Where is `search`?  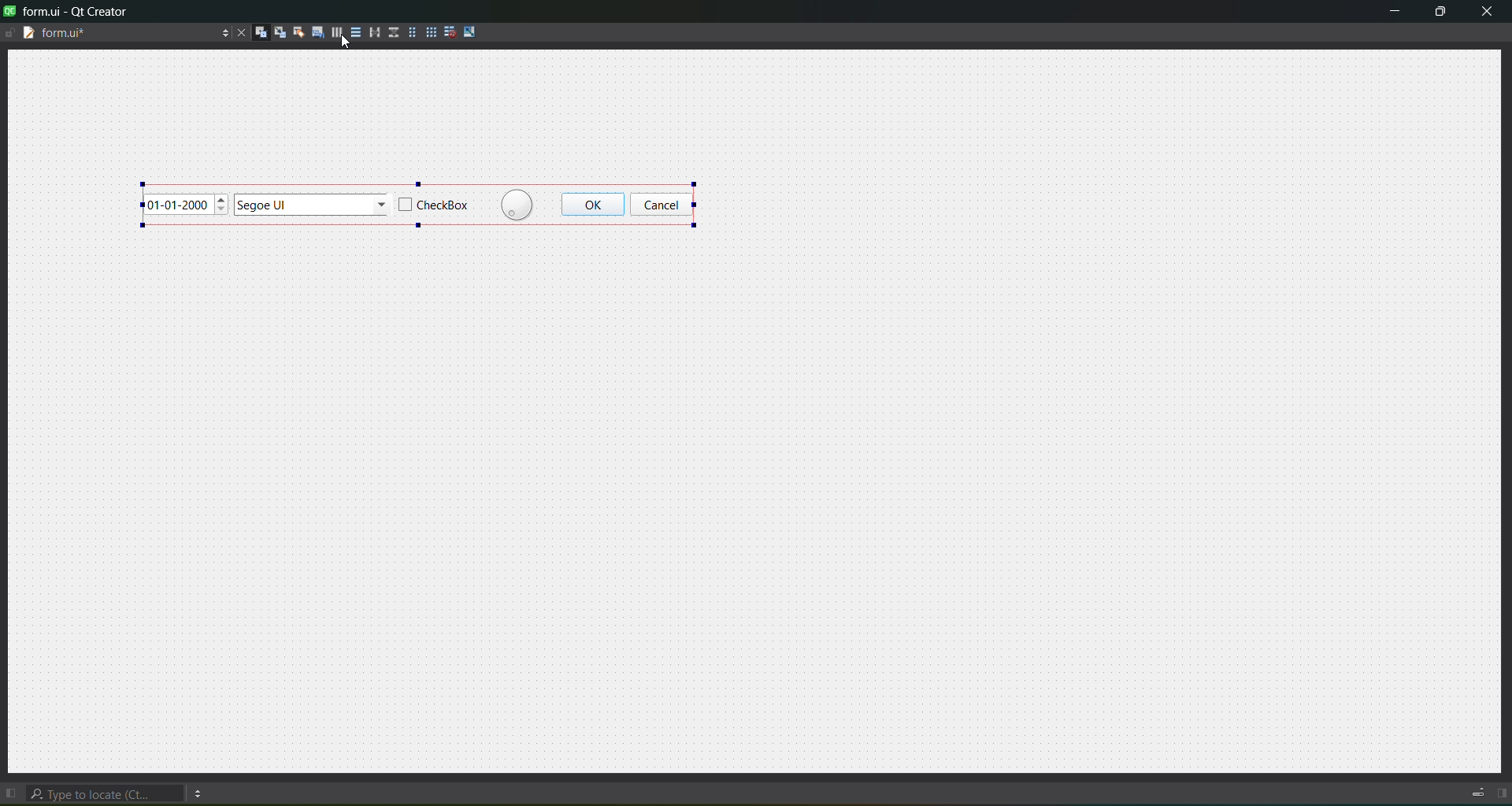
search is located at coordinates (104, 790).